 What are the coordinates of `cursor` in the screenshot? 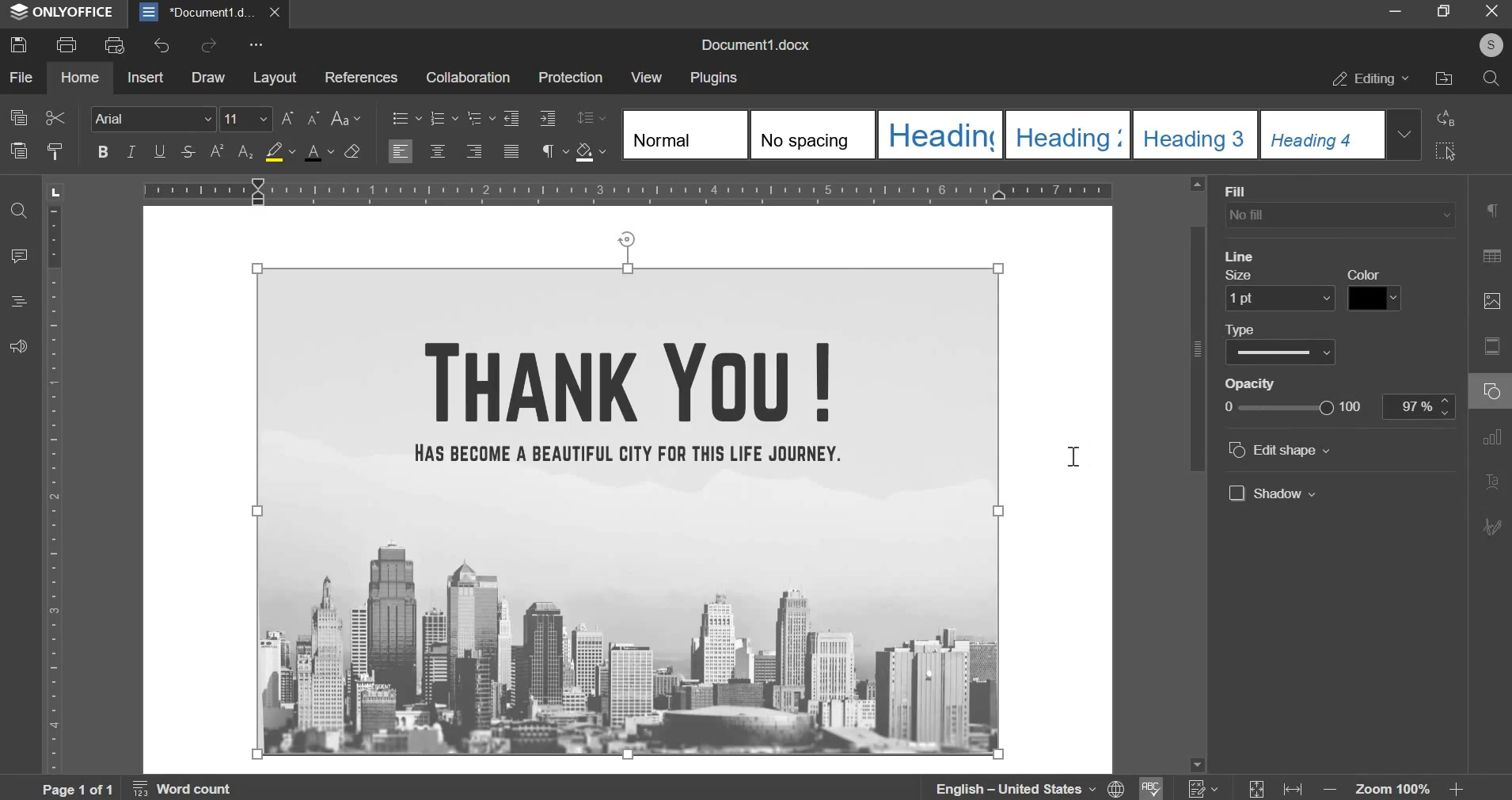 It's located at (1077, 458).